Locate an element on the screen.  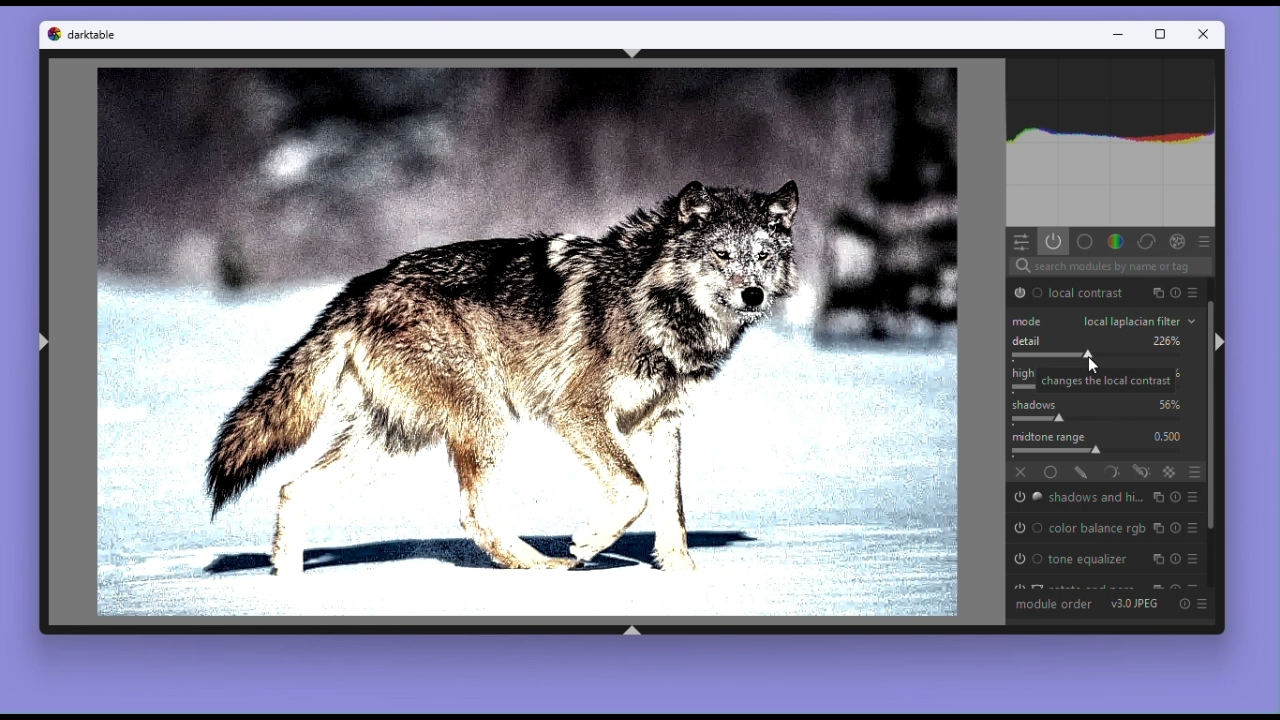
drawn mask is located at coordinates (1081, 473).